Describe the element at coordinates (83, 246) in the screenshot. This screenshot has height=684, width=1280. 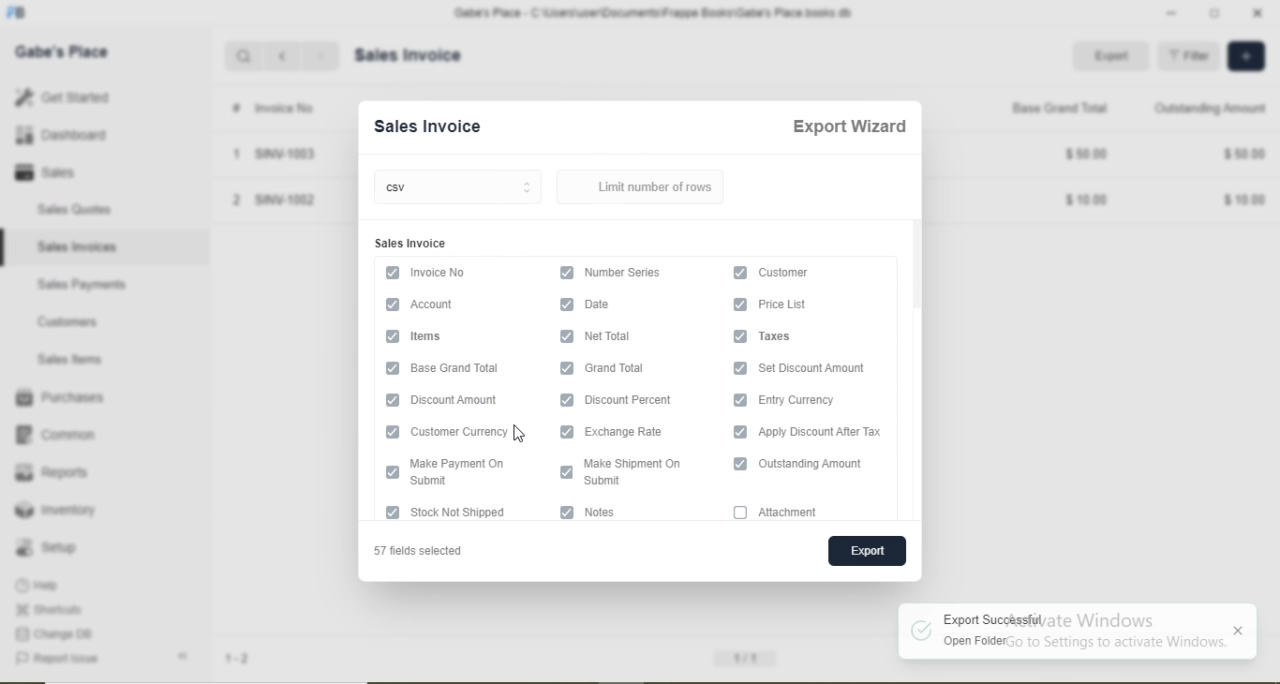
I see `Sales Invoices` at that location.